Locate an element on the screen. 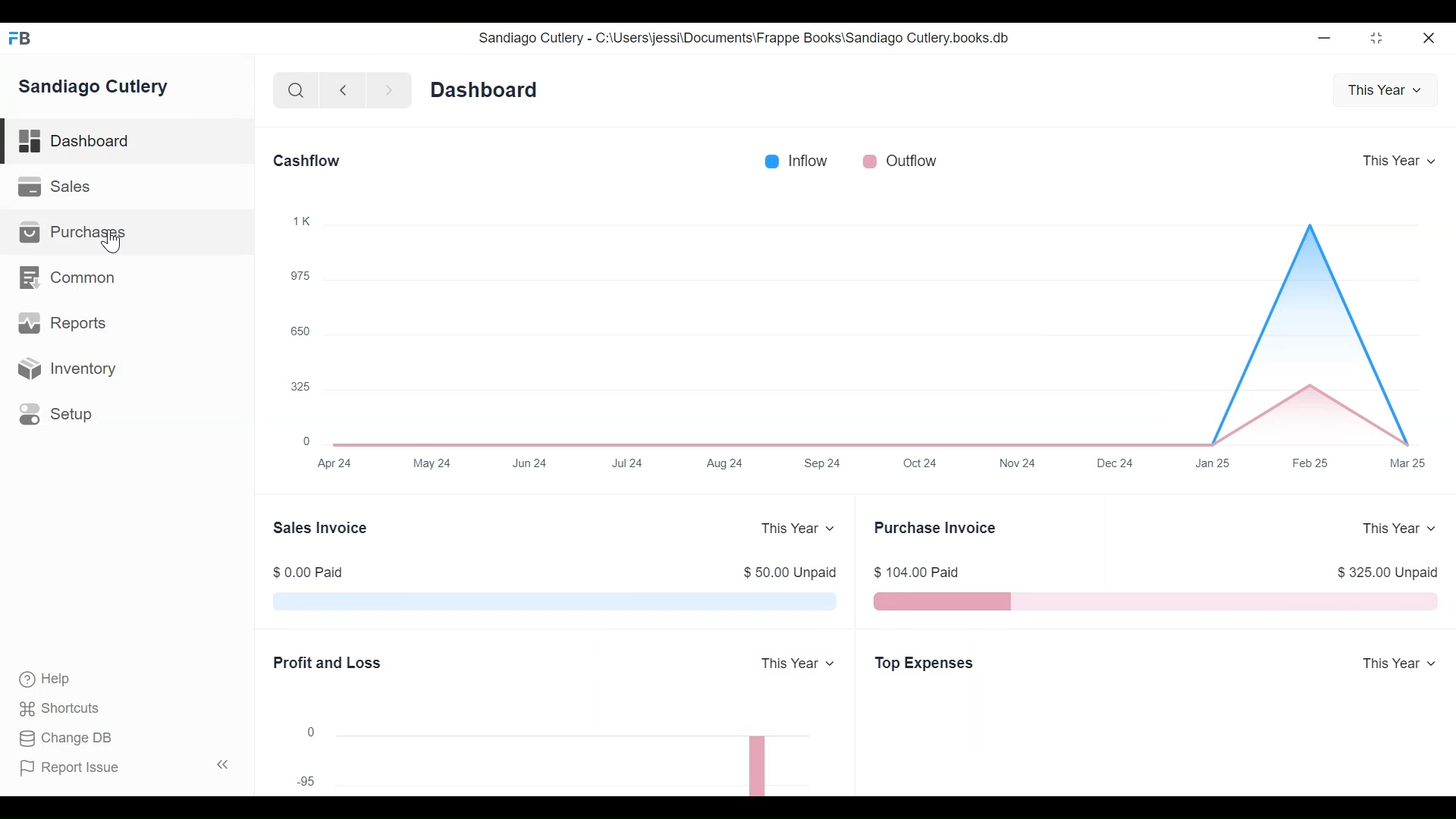 The height and width of the screenshot is (819, 1456). Shortcuts. is located at coordinates (61, 709).